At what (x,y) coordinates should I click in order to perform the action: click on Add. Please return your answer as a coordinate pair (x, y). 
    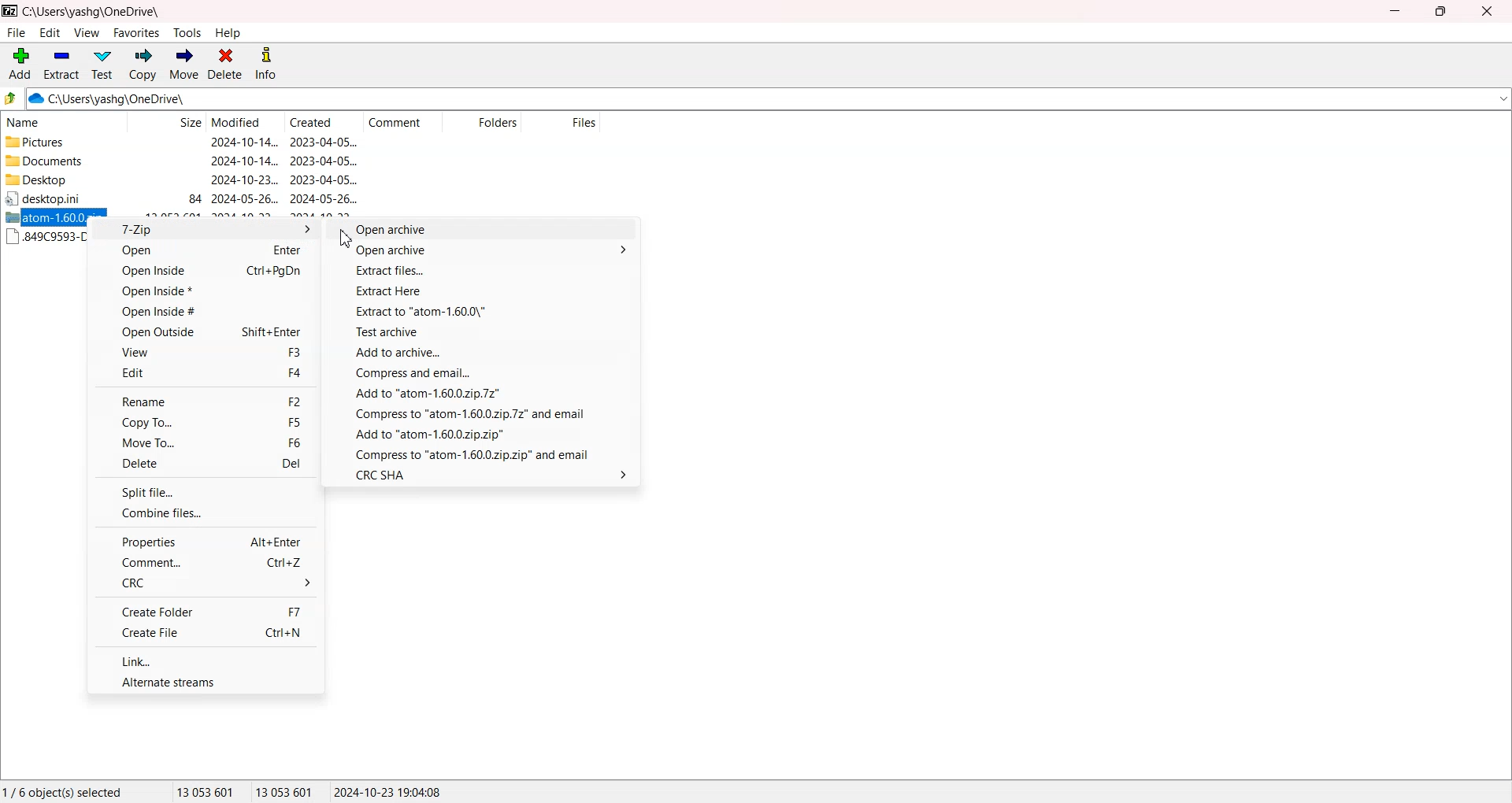
    Looking at the image, I should click on (20, 64).